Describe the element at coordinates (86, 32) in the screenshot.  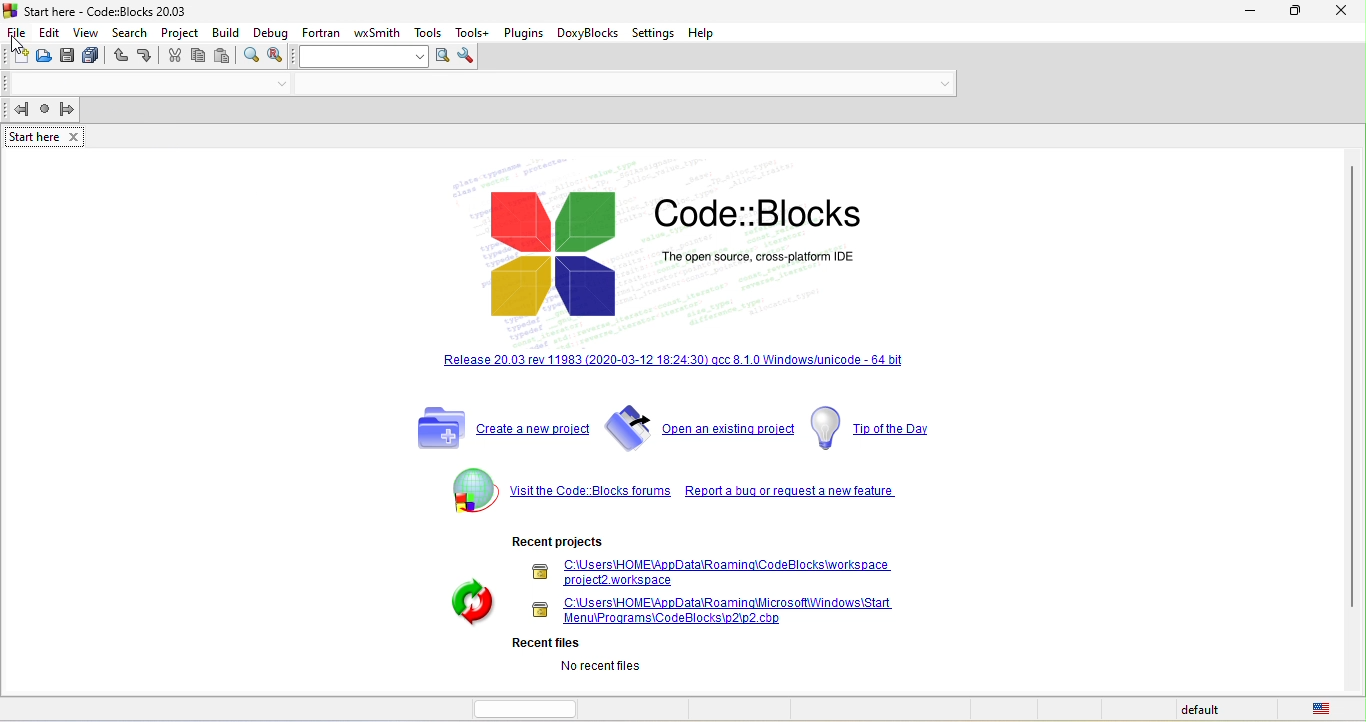
I see `view` at that location.